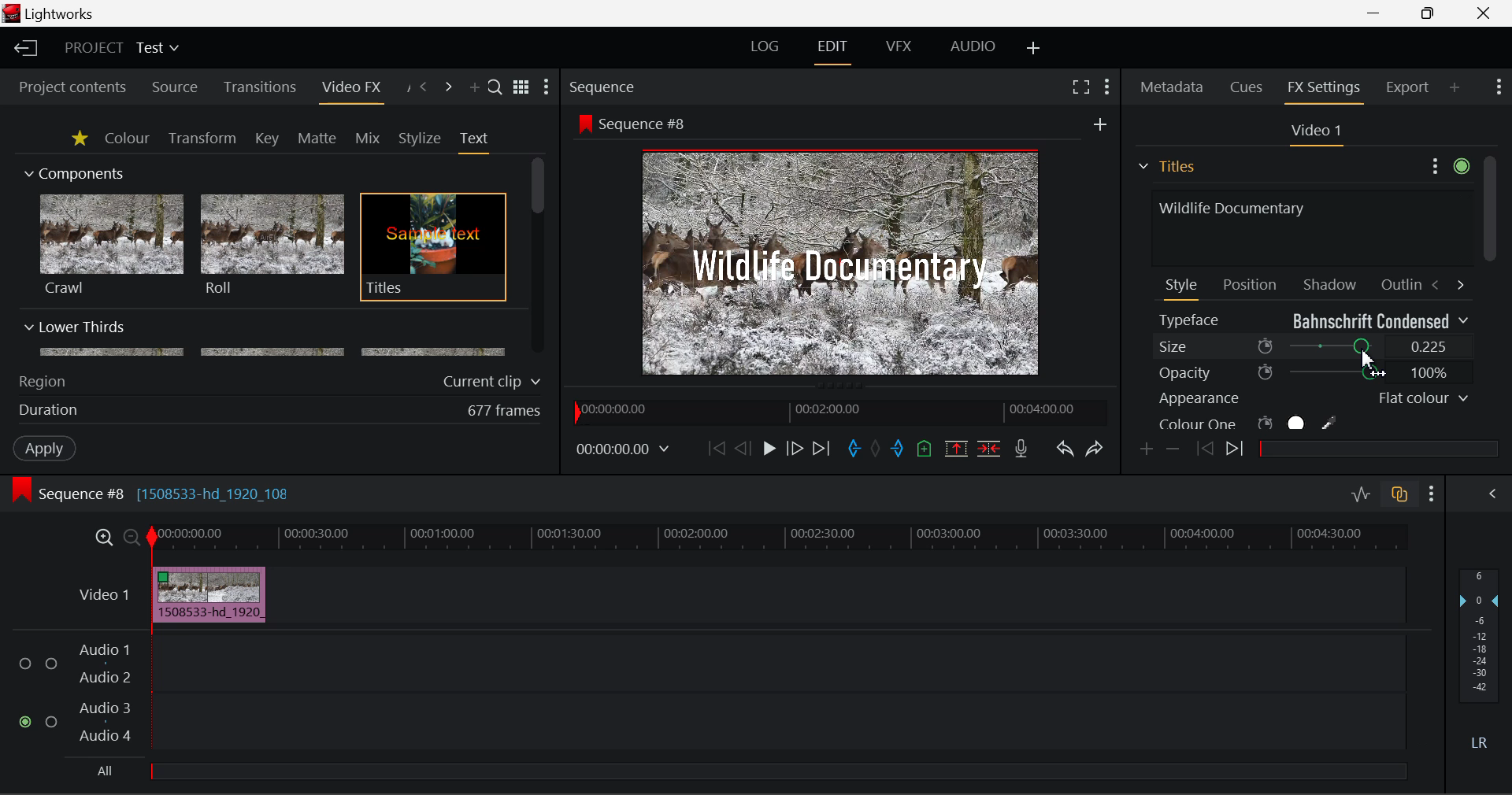 The image size is (1512, 795). Describe the element at coordinates (1036, 50) in the screenshot. I see `Add Layout` at that location.